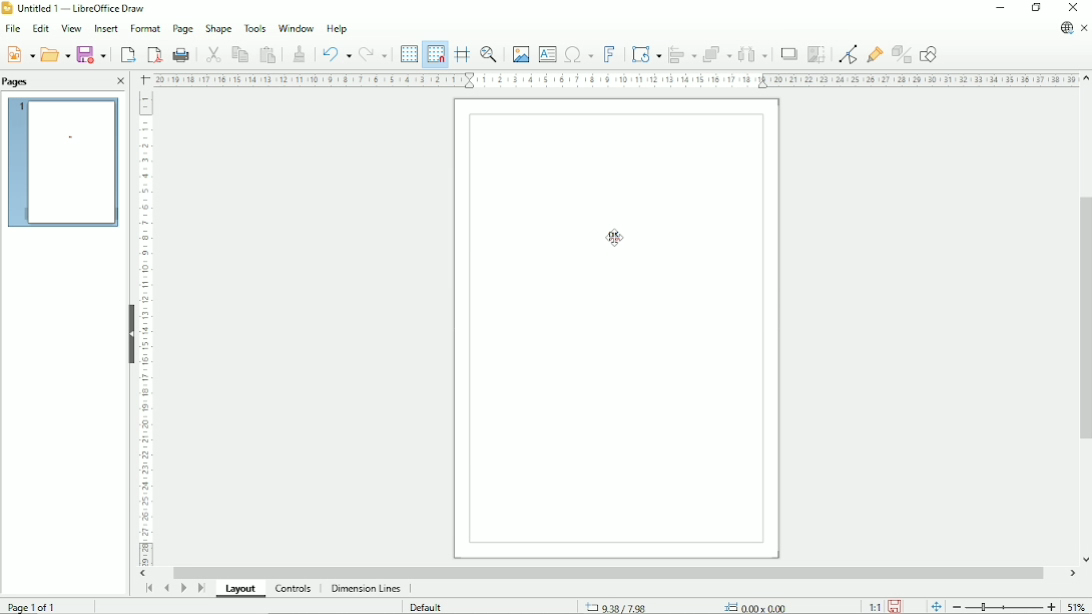 The width and height of the screenshot is (1092, 614). What do you see at coordinates (1085, 79) in the screenshot?
I see `Vertical scroll button` at bounding box center [1085, 79].